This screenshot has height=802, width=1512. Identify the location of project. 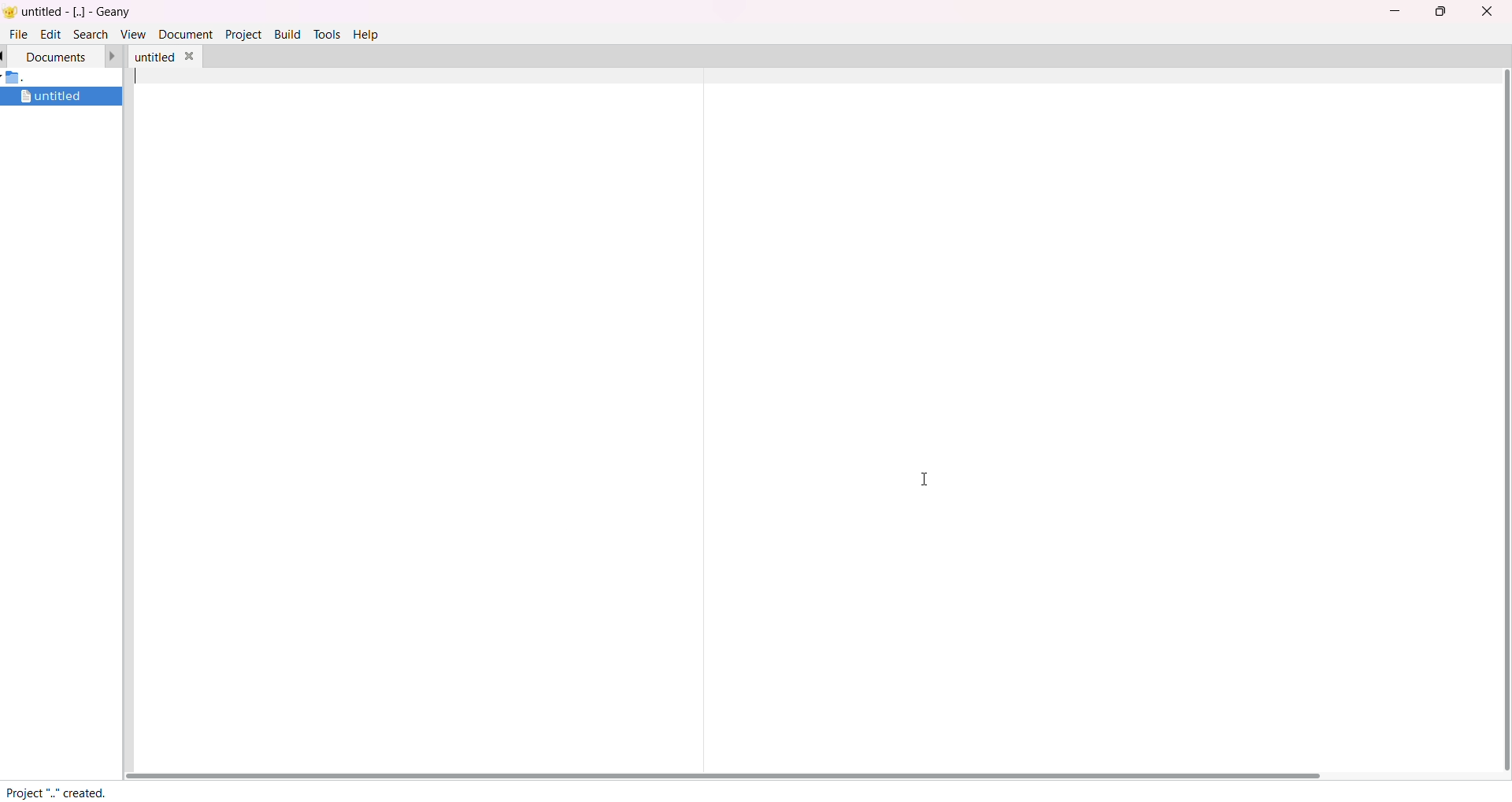
(243, 34).